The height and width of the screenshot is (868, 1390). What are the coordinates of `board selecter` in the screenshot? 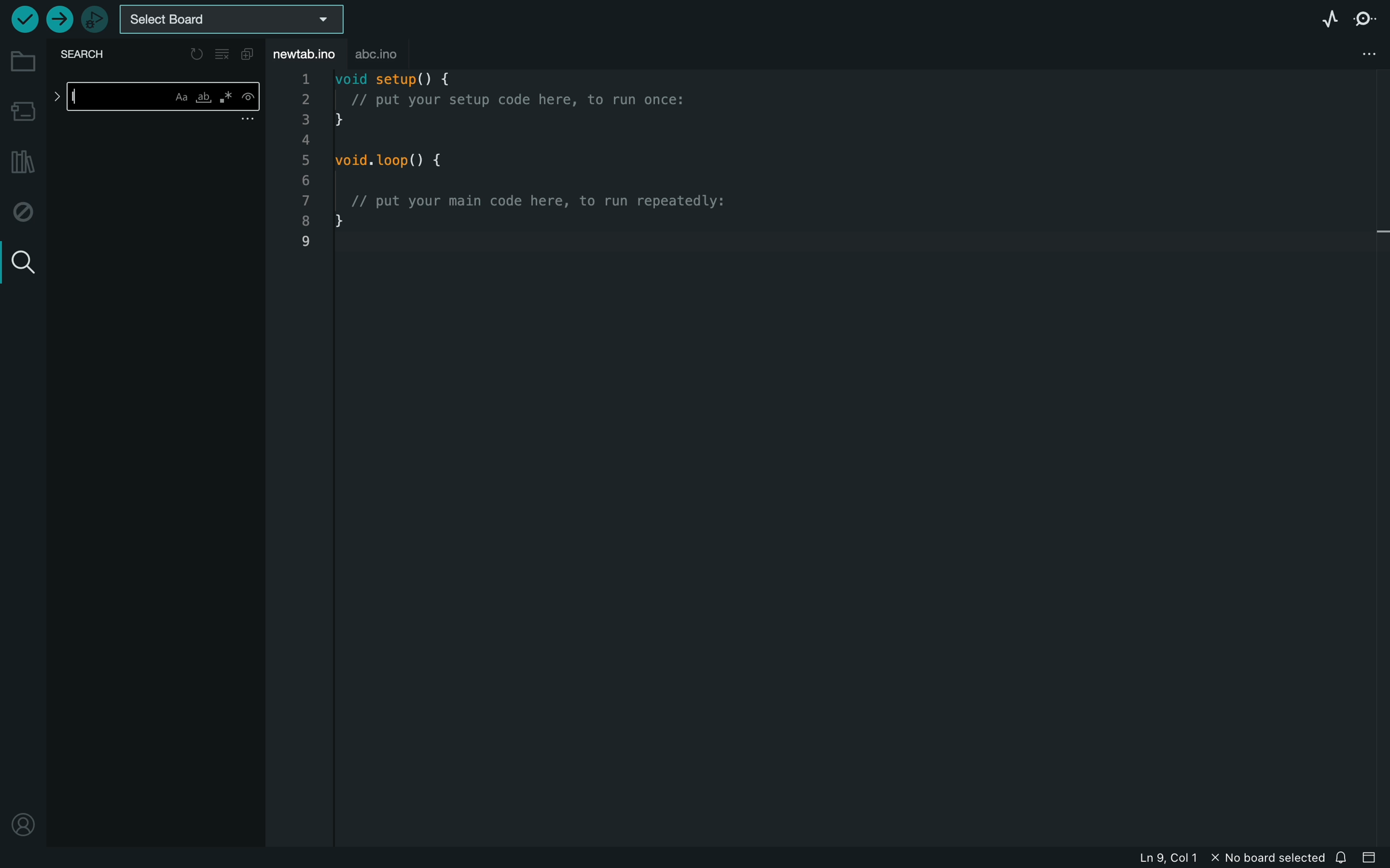 It's located at (237, 19).